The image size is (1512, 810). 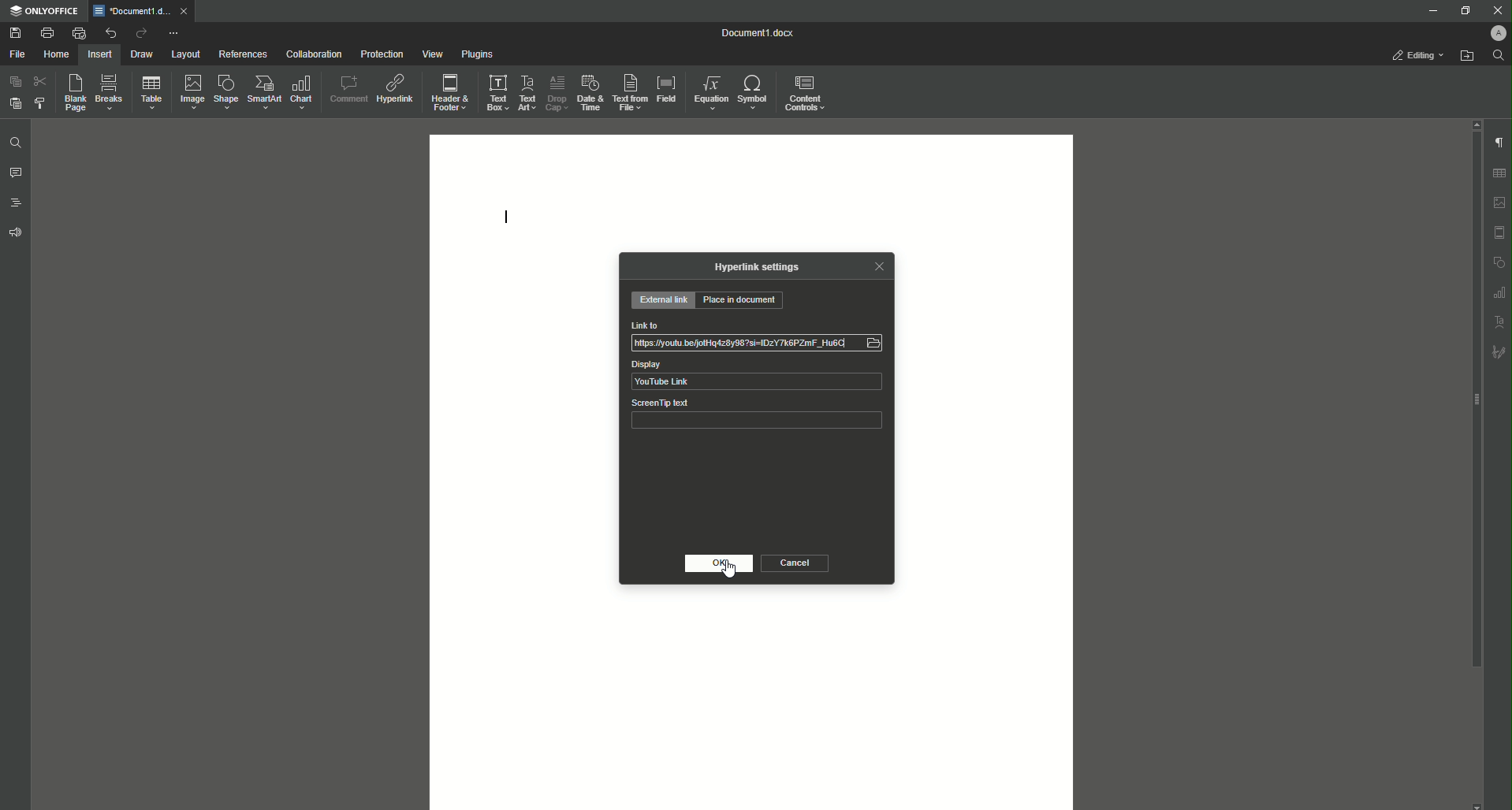 What do you see at coordinates (14, 32) in the screenshot?
I see `Save` at bounding box center [14, 32].